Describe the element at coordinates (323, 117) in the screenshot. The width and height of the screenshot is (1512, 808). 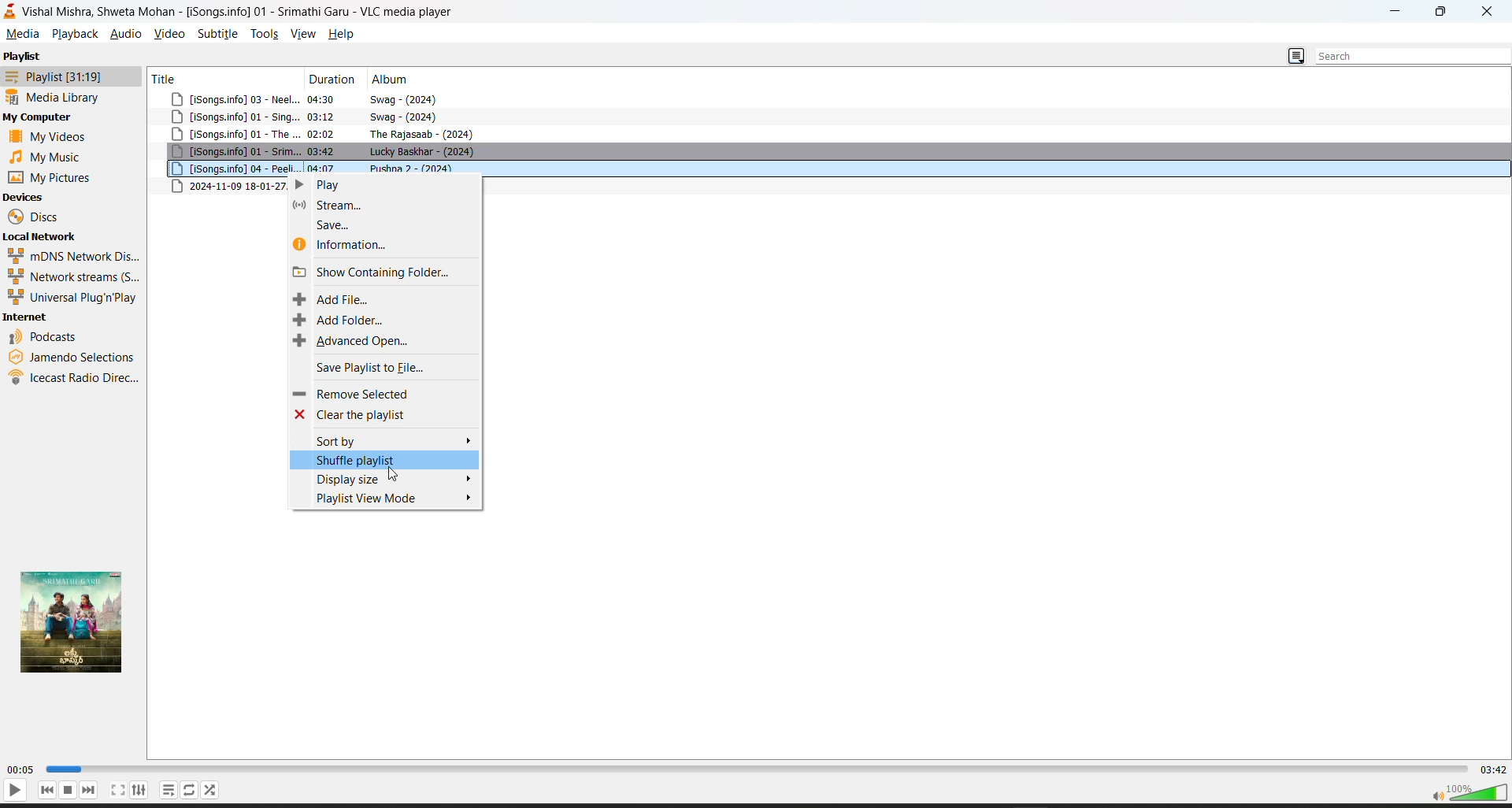
I see `03:12` at that location.